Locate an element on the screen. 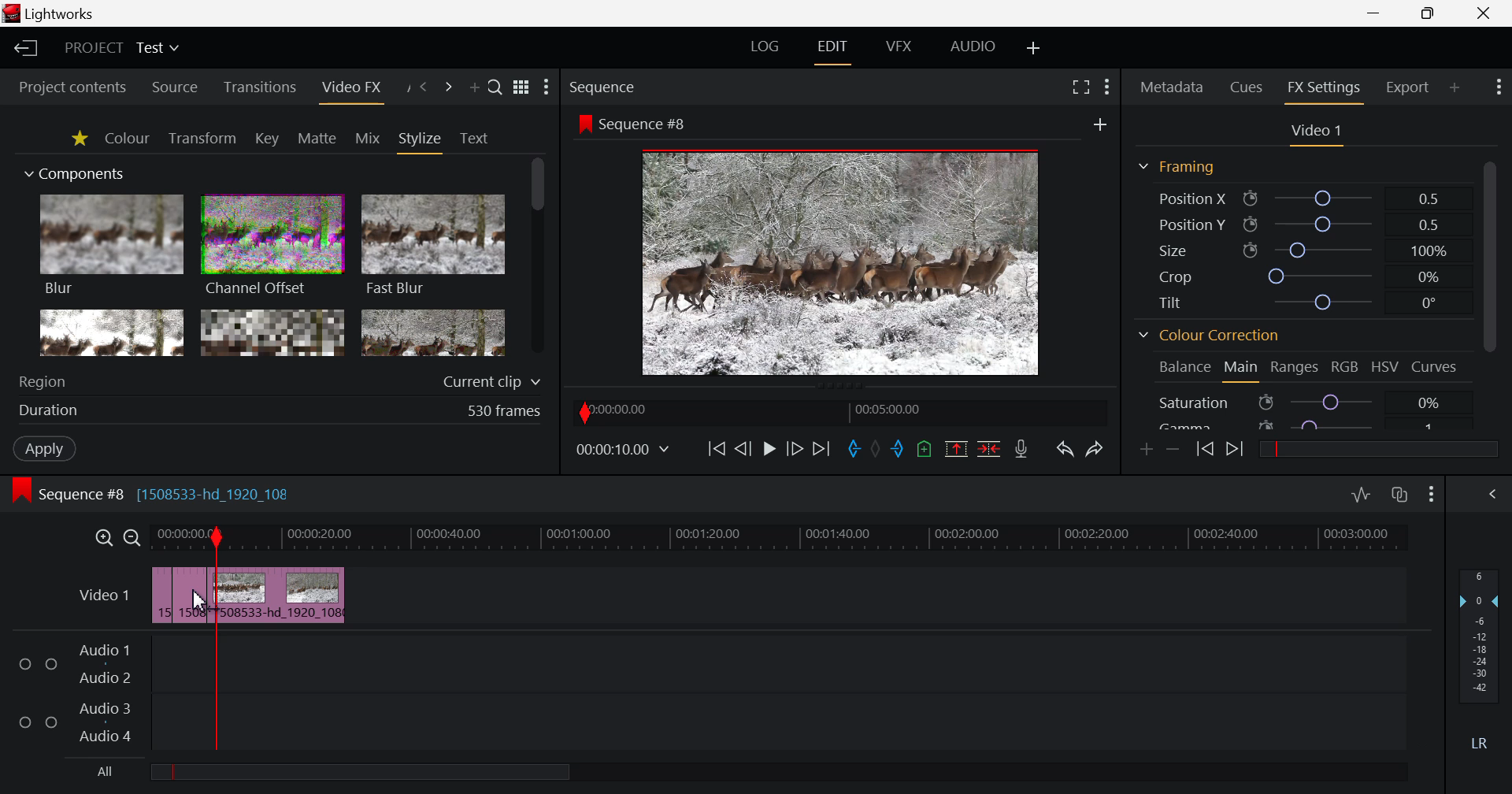 The height and width of the screenshot is (794, 1512). Show Settings is located at coordinates (547, 87).